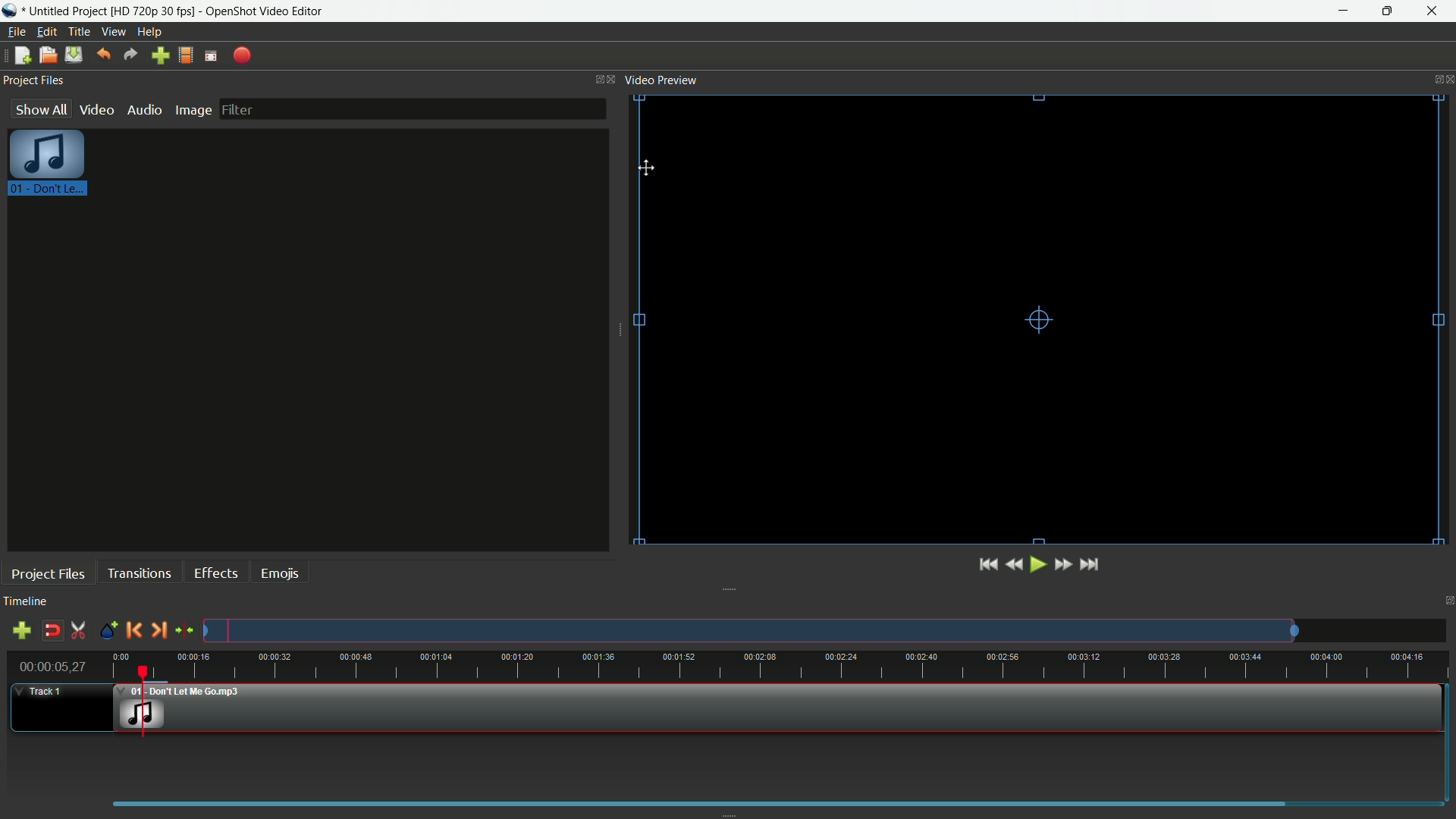 Image resolution: width=1456 pixels, height=819 pixels. Describe the element at coordinates (649, 168) in the screenshot. I see `cursor` at that location.